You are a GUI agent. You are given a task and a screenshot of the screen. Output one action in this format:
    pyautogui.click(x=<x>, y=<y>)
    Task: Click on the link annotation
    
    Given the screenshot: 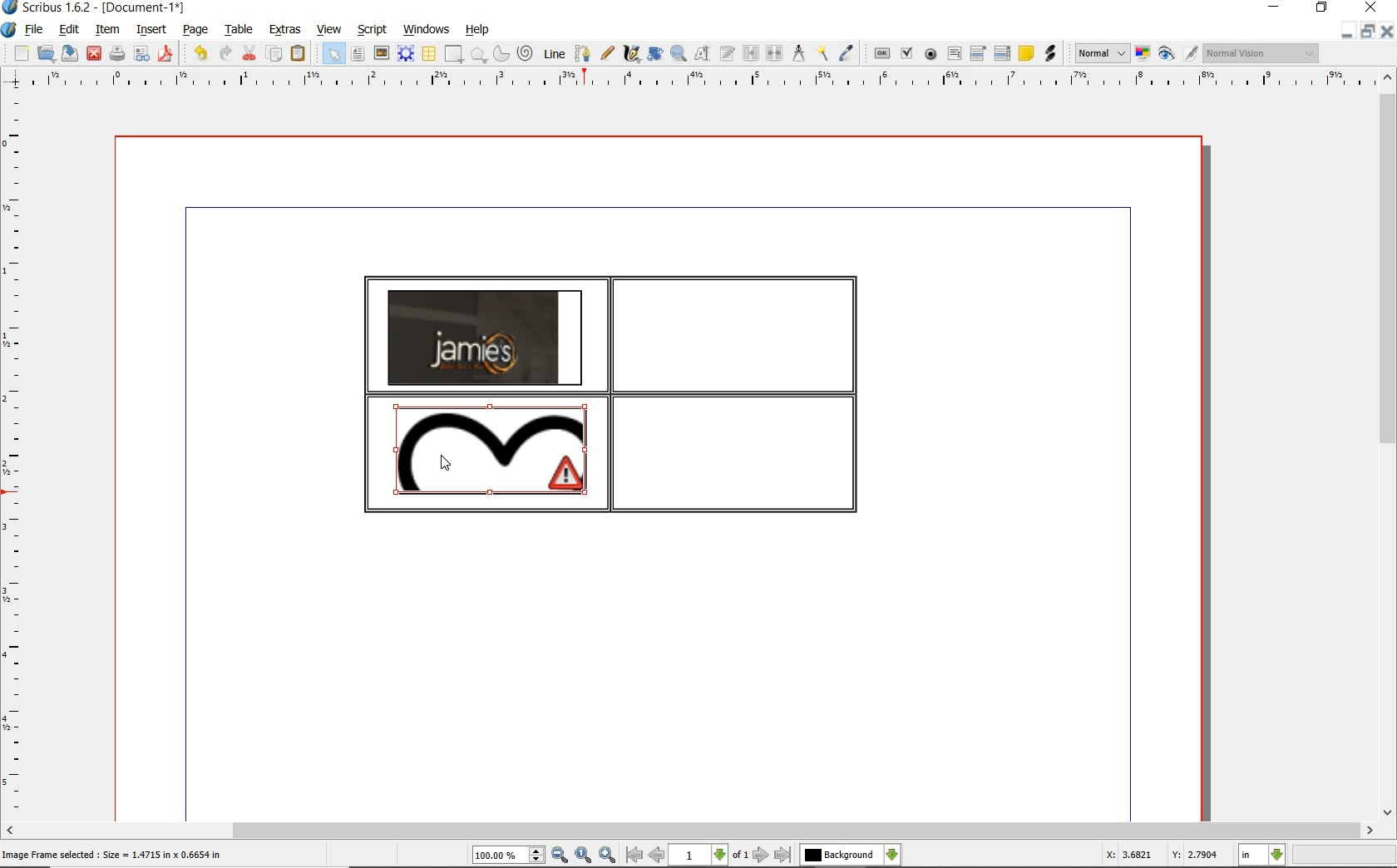 What is the action you would take?
    pyautogui.click(x=1049, y=53)
    